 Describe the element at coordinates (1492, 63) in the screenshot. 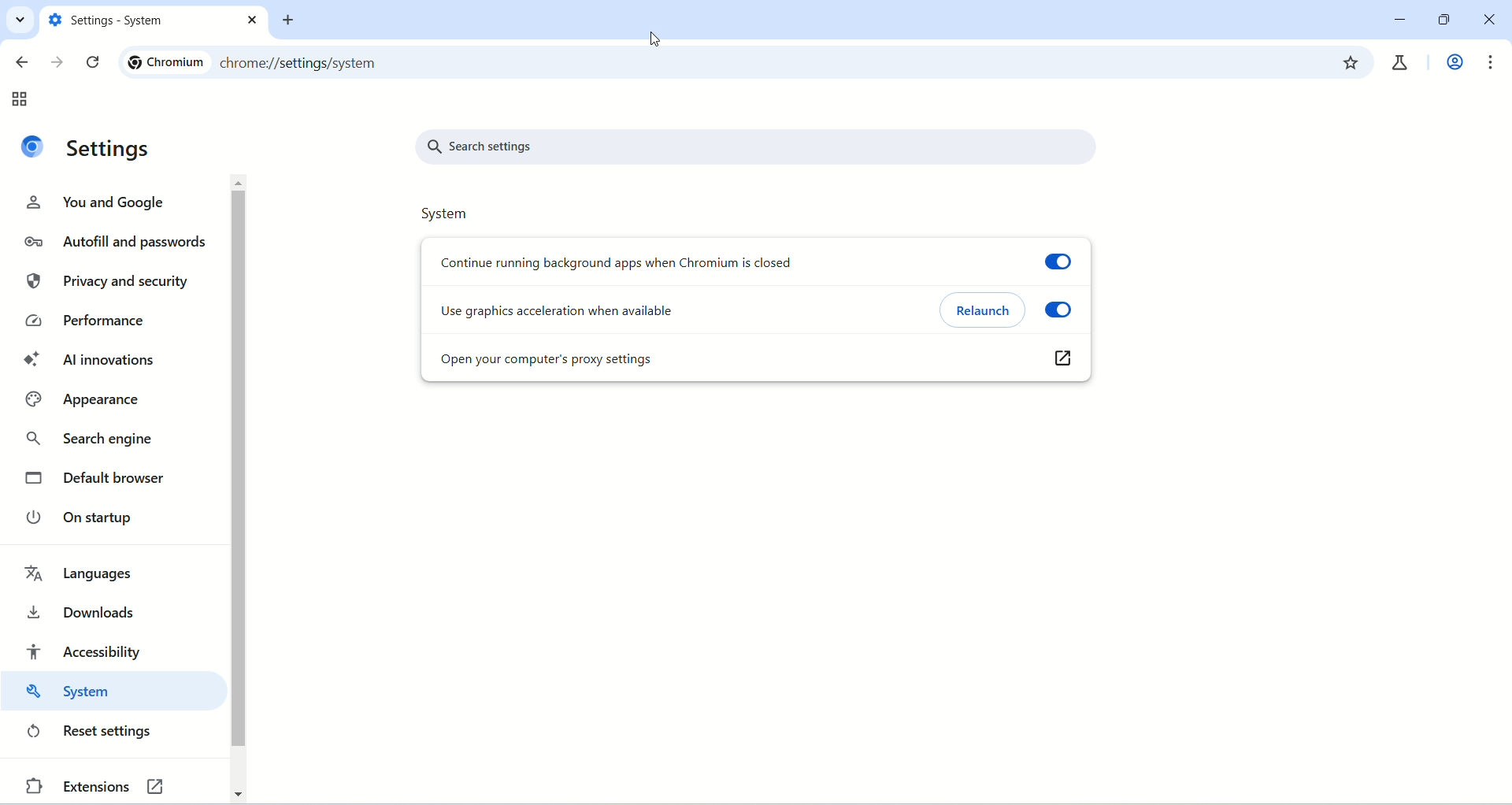

I see `customize and control chromium` at that location.